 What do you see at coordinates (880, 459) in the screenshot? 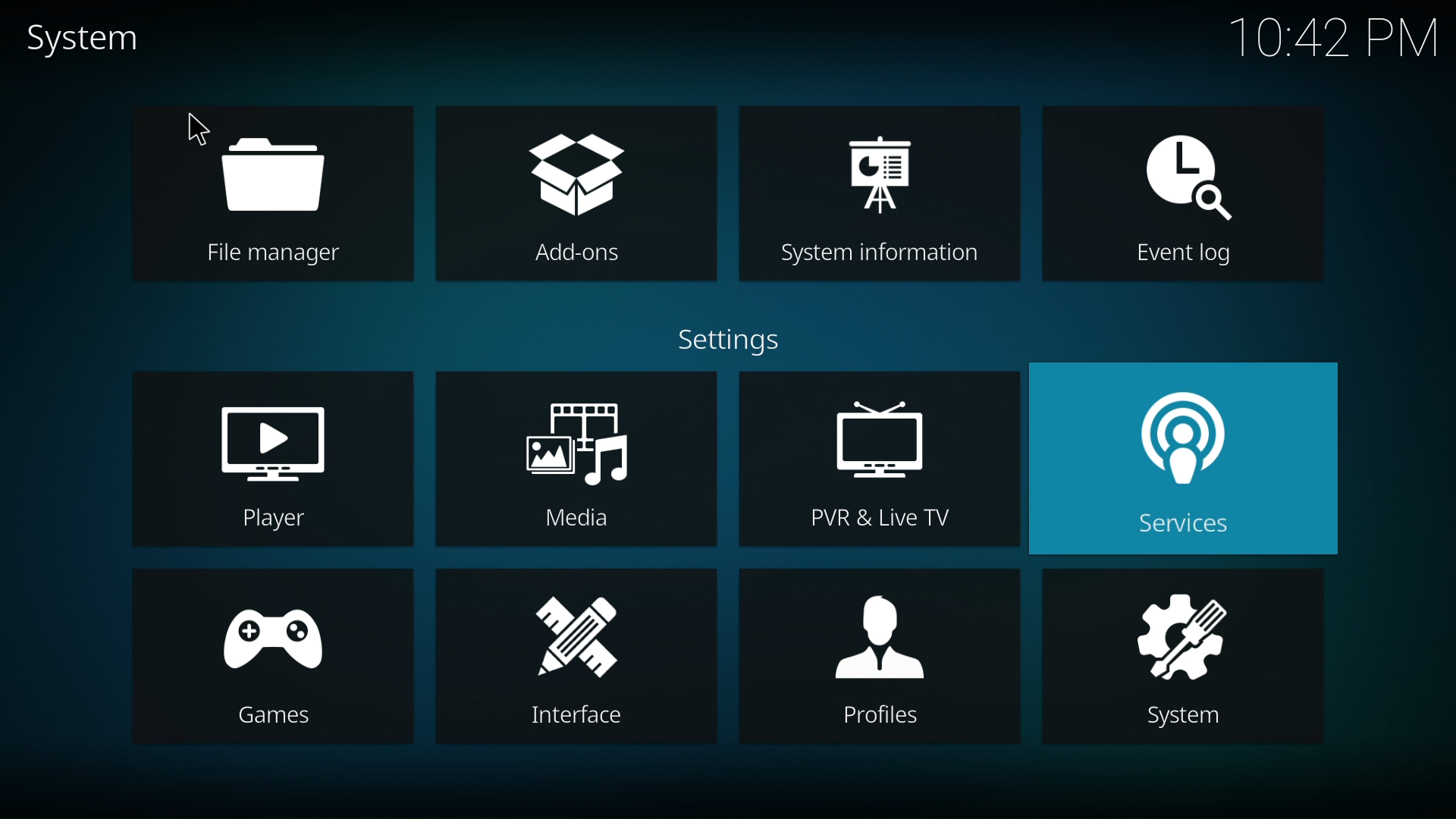
I see `pvr & live tv` at bounding box center [880, 459].